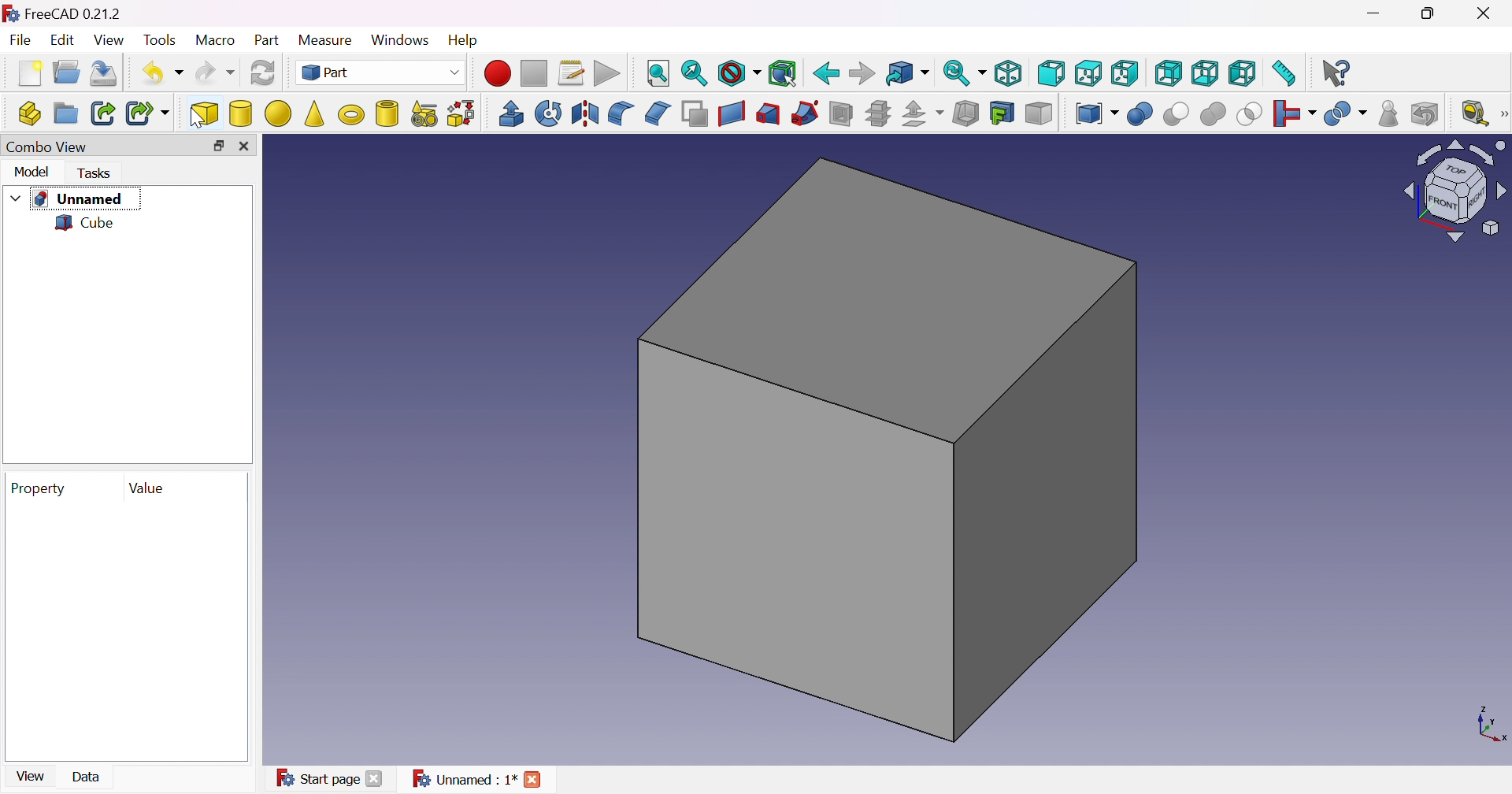  What do you see at coordinates (465, 777) in the screenshot?
I see `Unnamed : 1*` at bounding box center [465, 777].